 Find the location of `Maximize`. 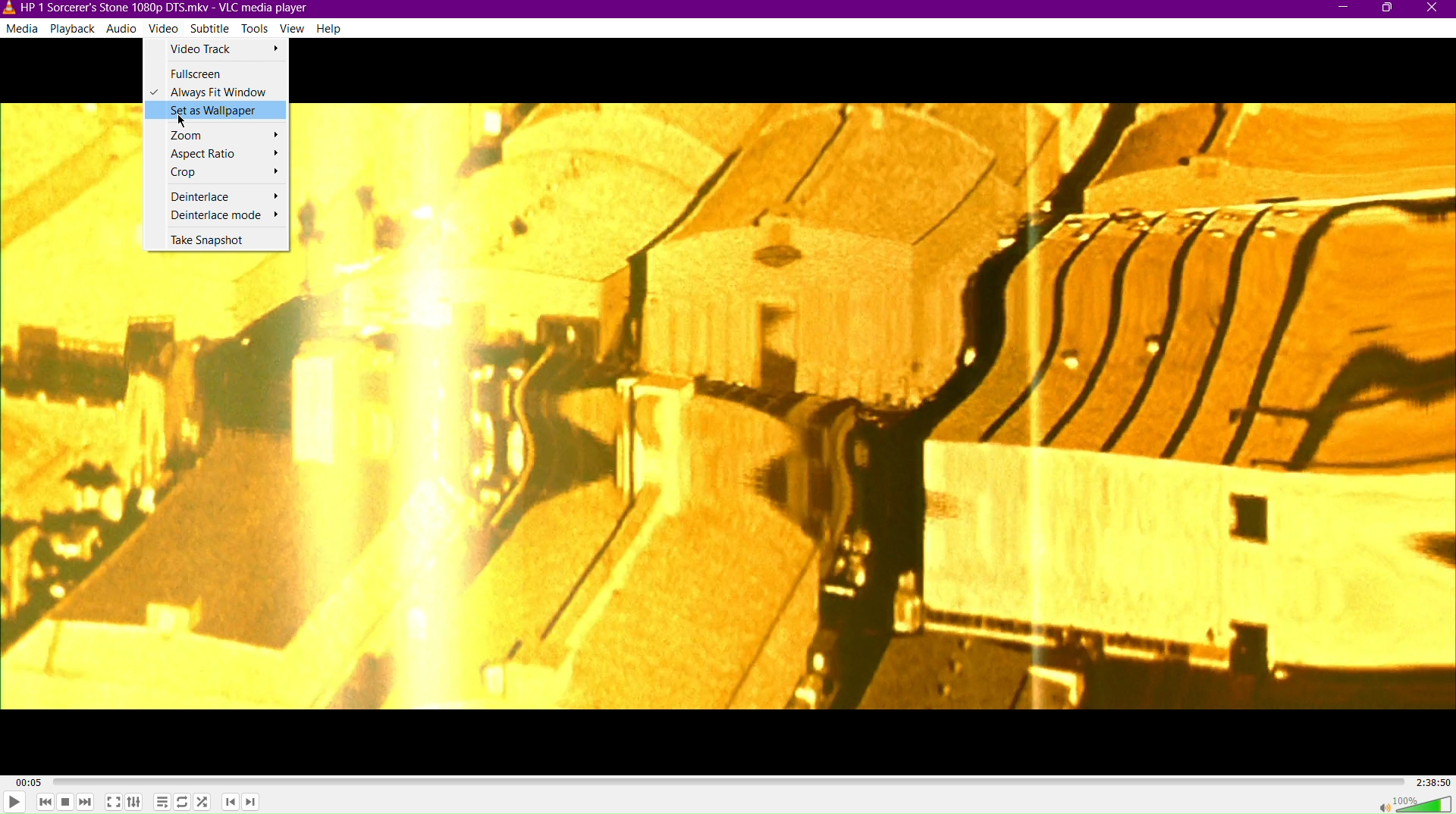

Maximize is located at coordinates (1386, 11).